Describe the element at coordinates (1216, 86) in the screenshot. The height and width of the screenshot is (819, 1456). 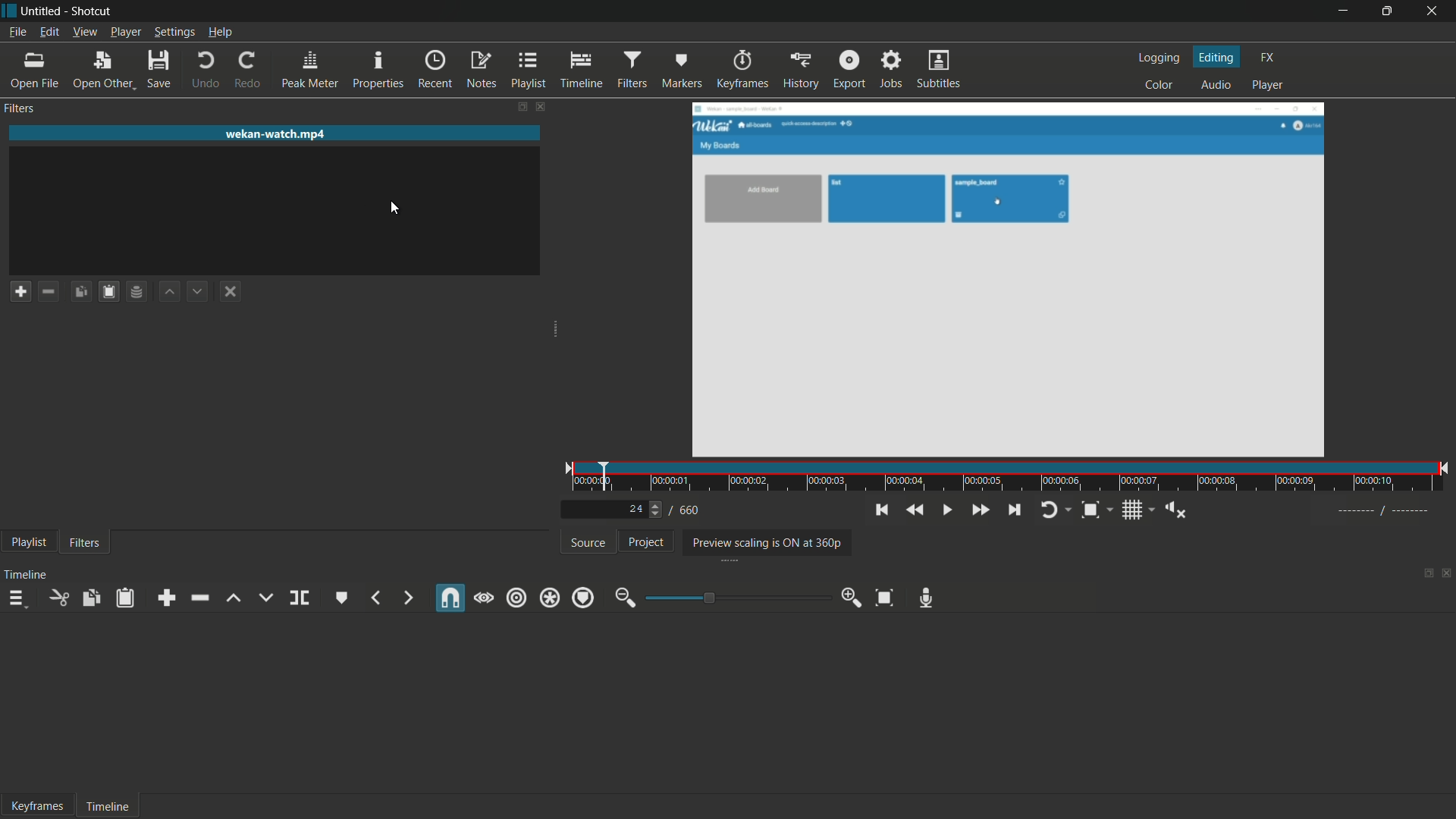
I see `audio` at that location.